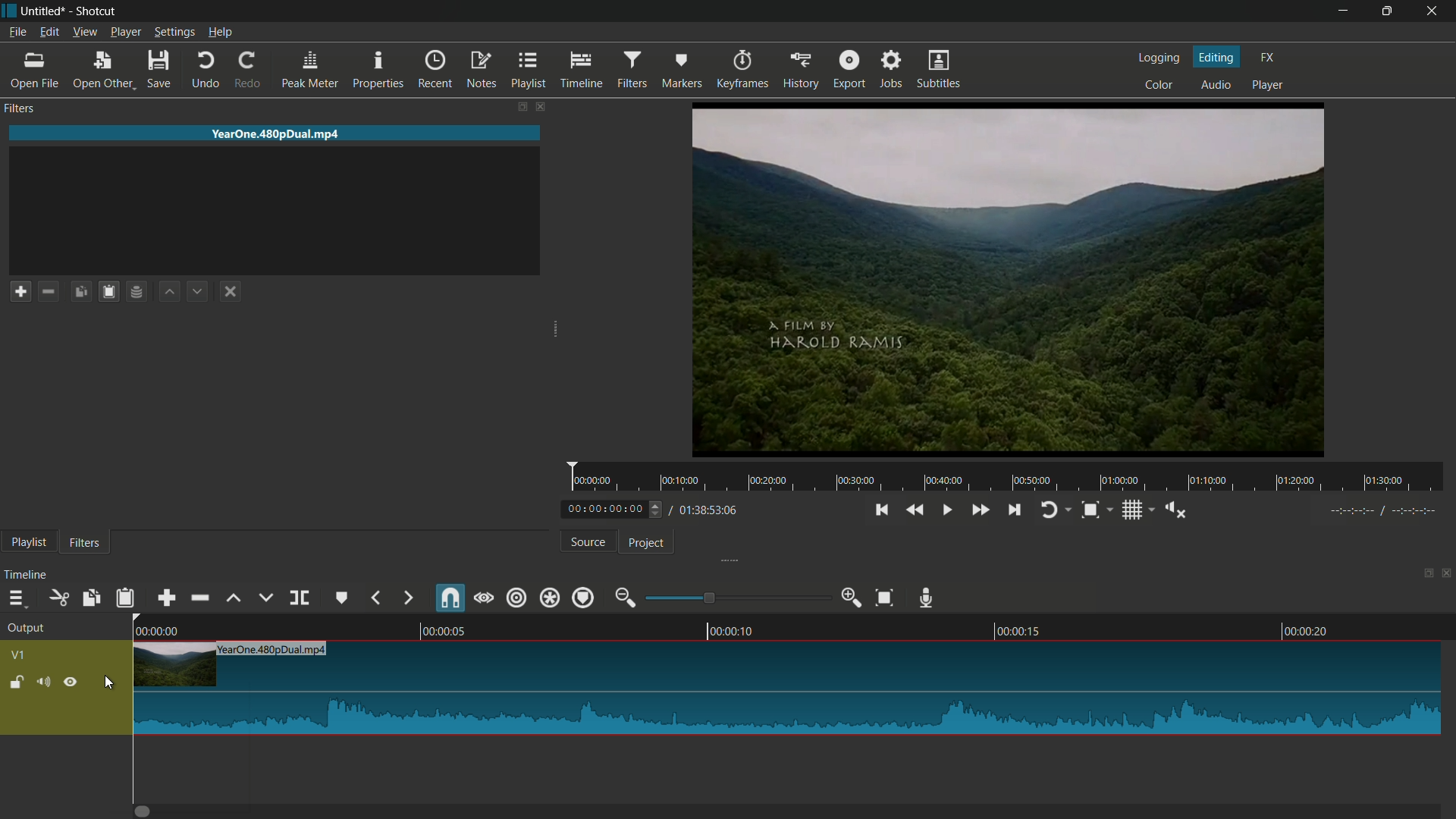 This screenshot has width=1456, height=819. What do you see at coordinates (27, 576) in the screenshot?
I see `timeline` at bounding box center [27, 576].